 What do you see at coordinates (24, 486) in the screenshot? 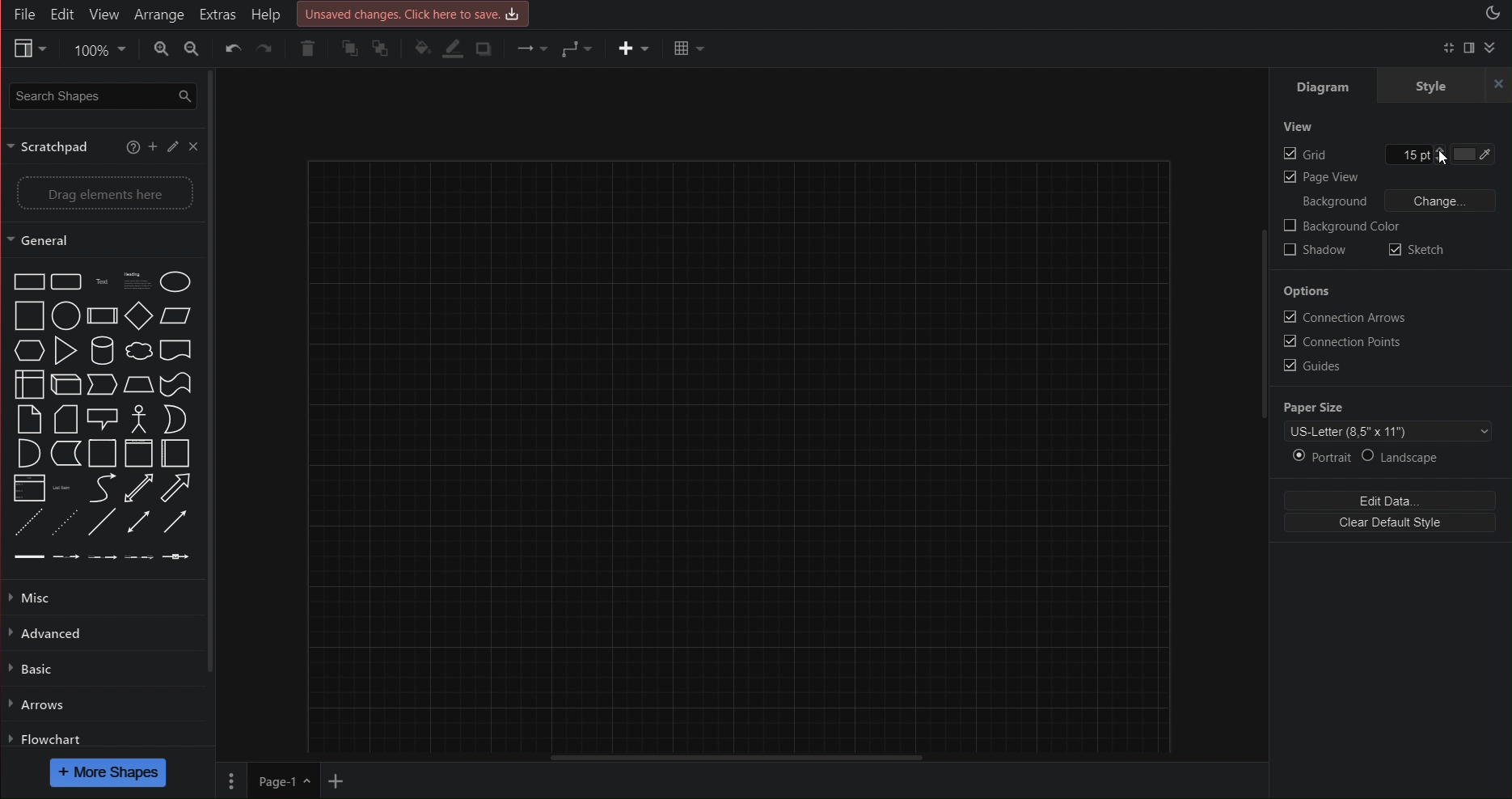
I see `paragraph` at bounding box center [24, 486].